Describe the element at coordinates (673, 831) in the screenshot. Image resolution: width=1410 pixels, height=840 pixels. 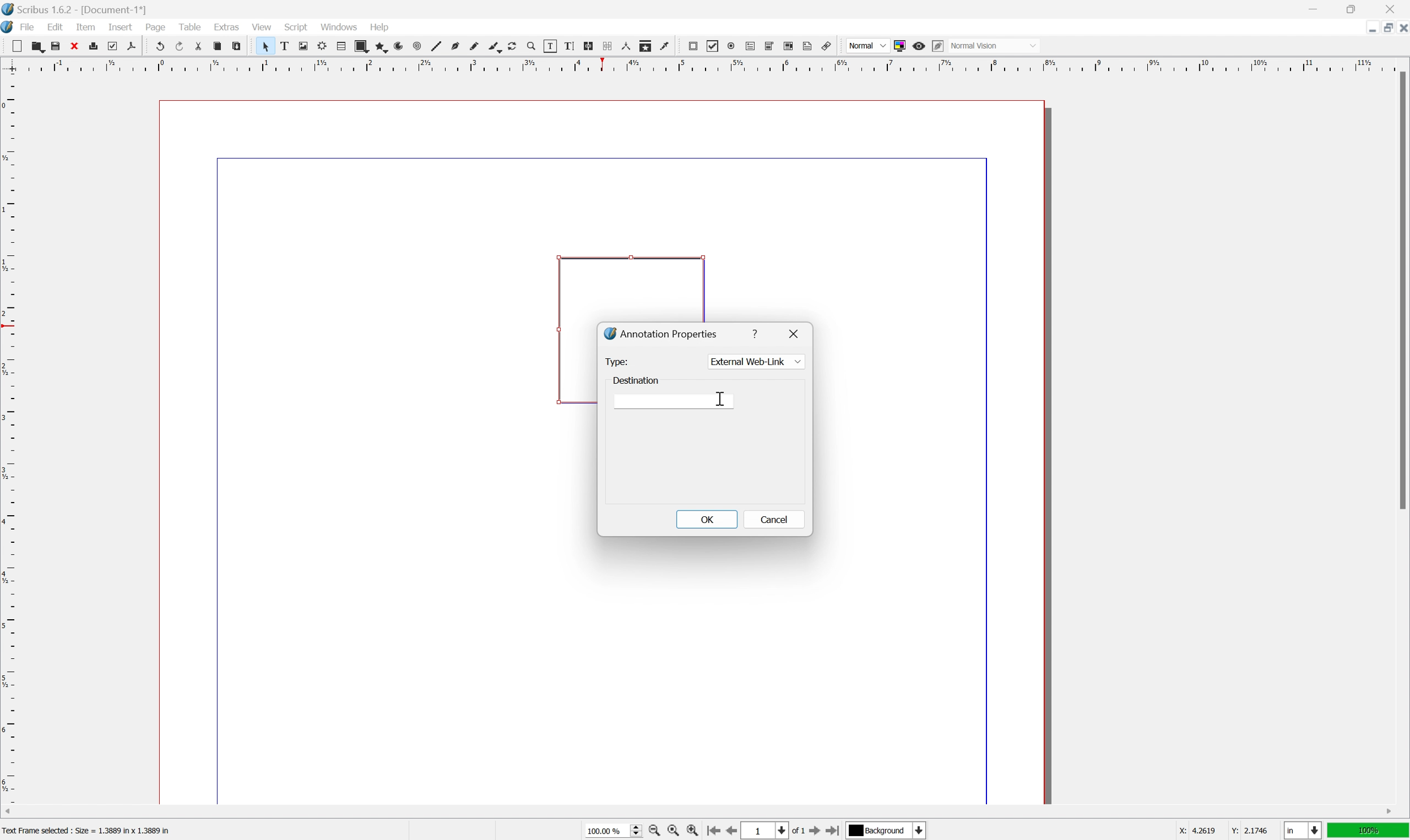
I see `zoom to 100%` at that location.